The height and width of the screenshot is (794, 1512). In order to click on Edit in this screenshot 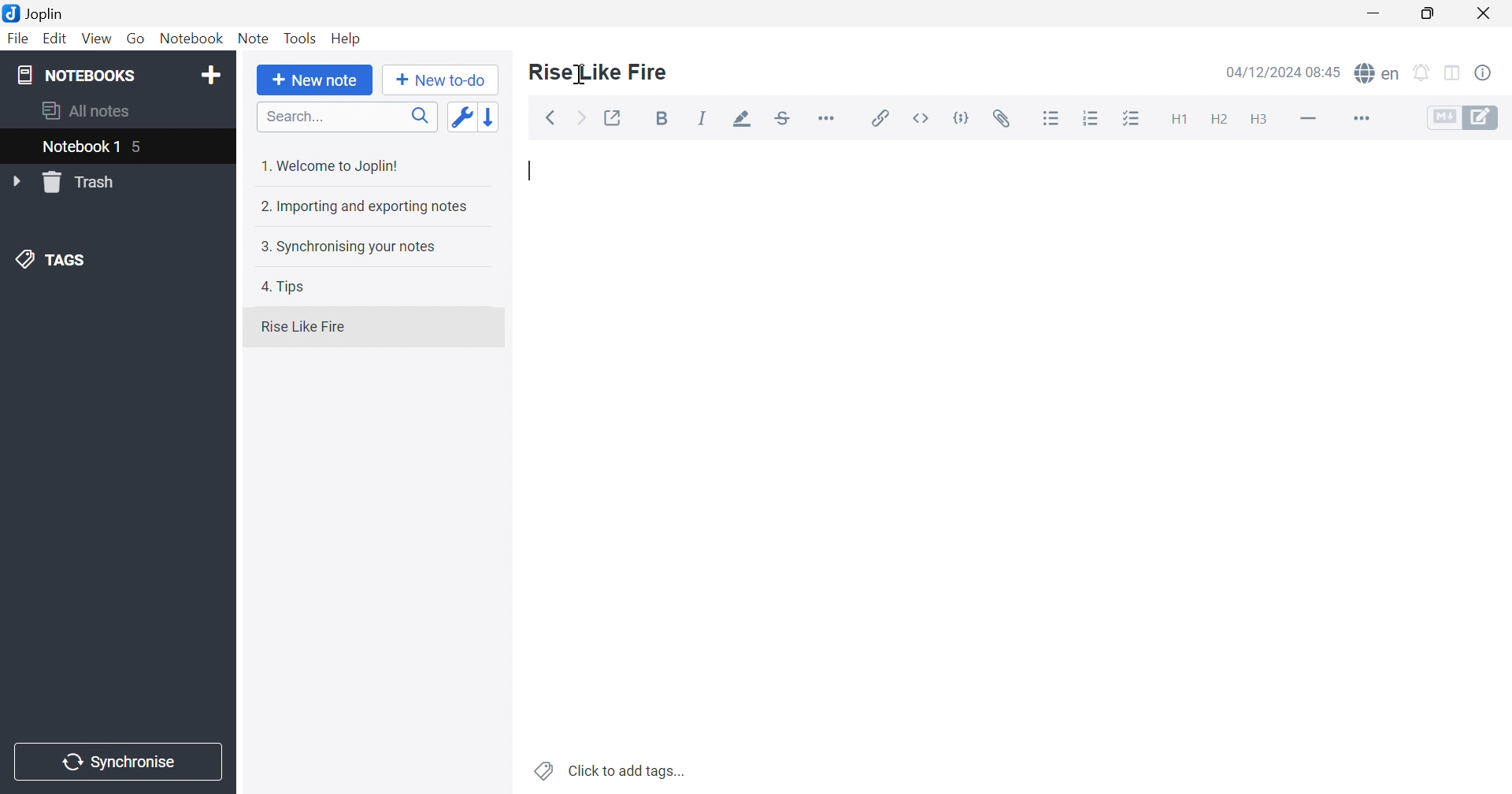, I will do `click(58, 41)`.